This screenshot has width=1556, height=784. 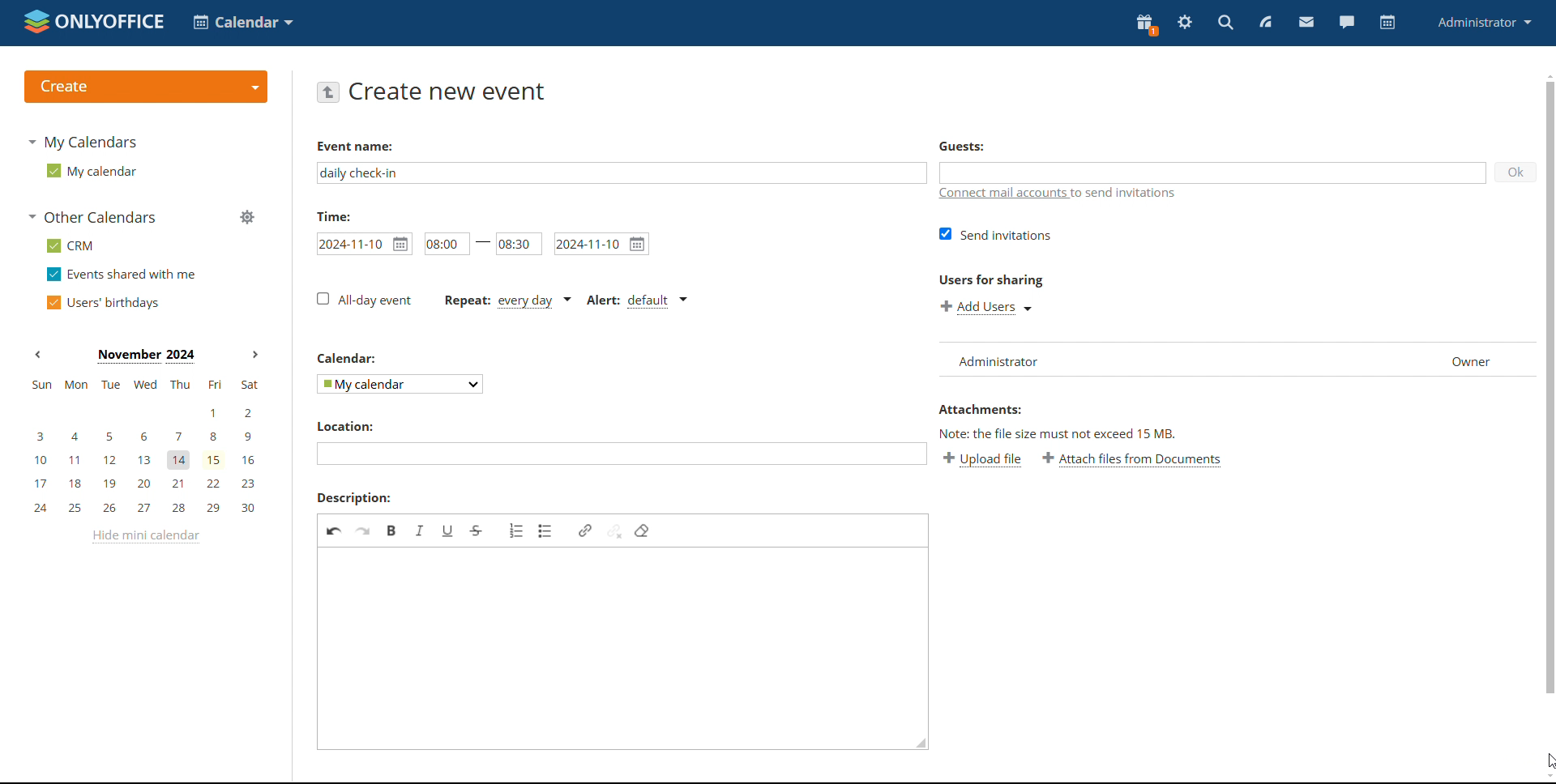 What do you see at coordinates (102, 303) in the screenshot?
I see `users' birthdays` at bounding box center [102, 303].